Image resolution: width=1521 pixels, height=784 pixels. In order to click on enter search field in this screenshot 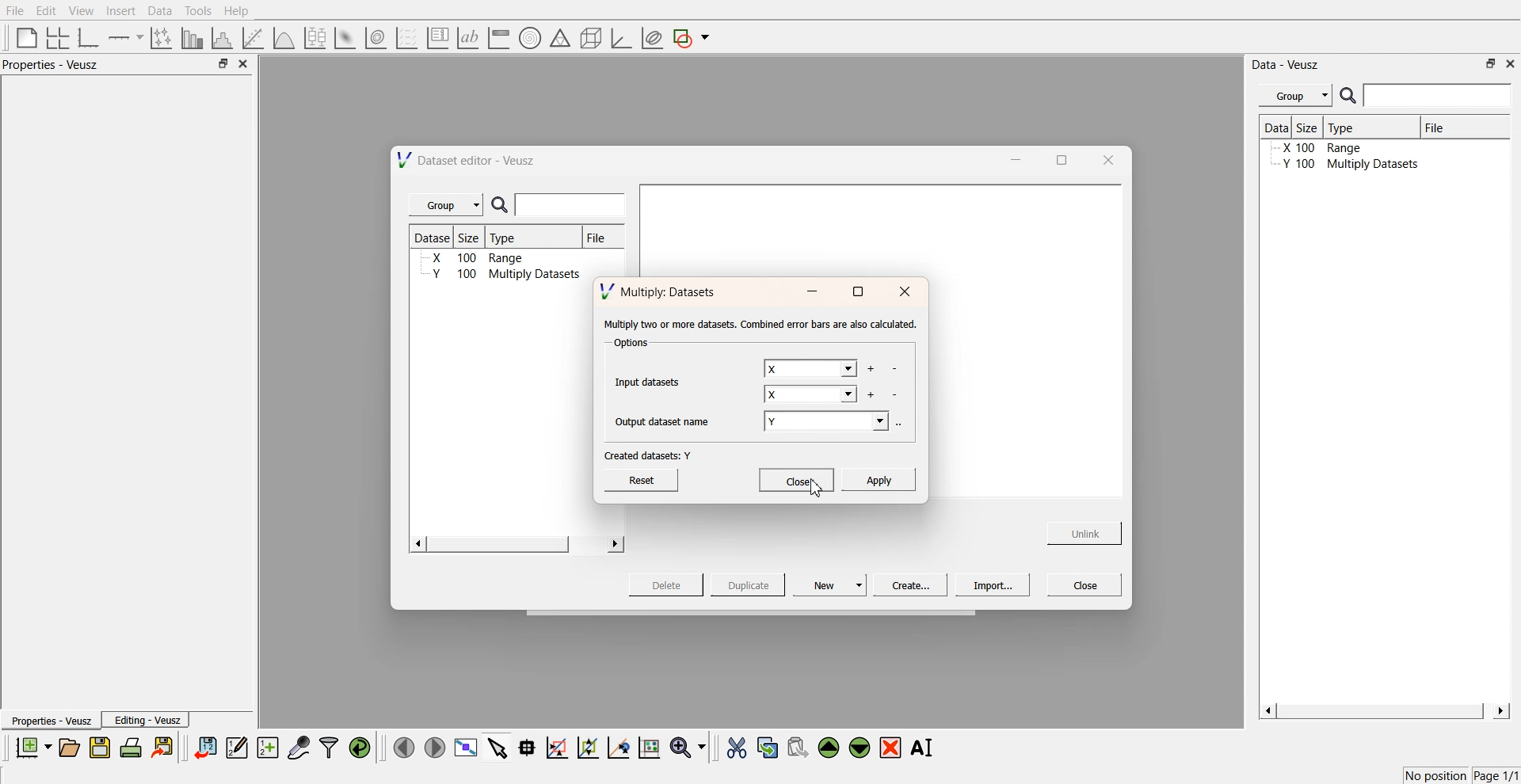, I will do `click(1439, 96)`.